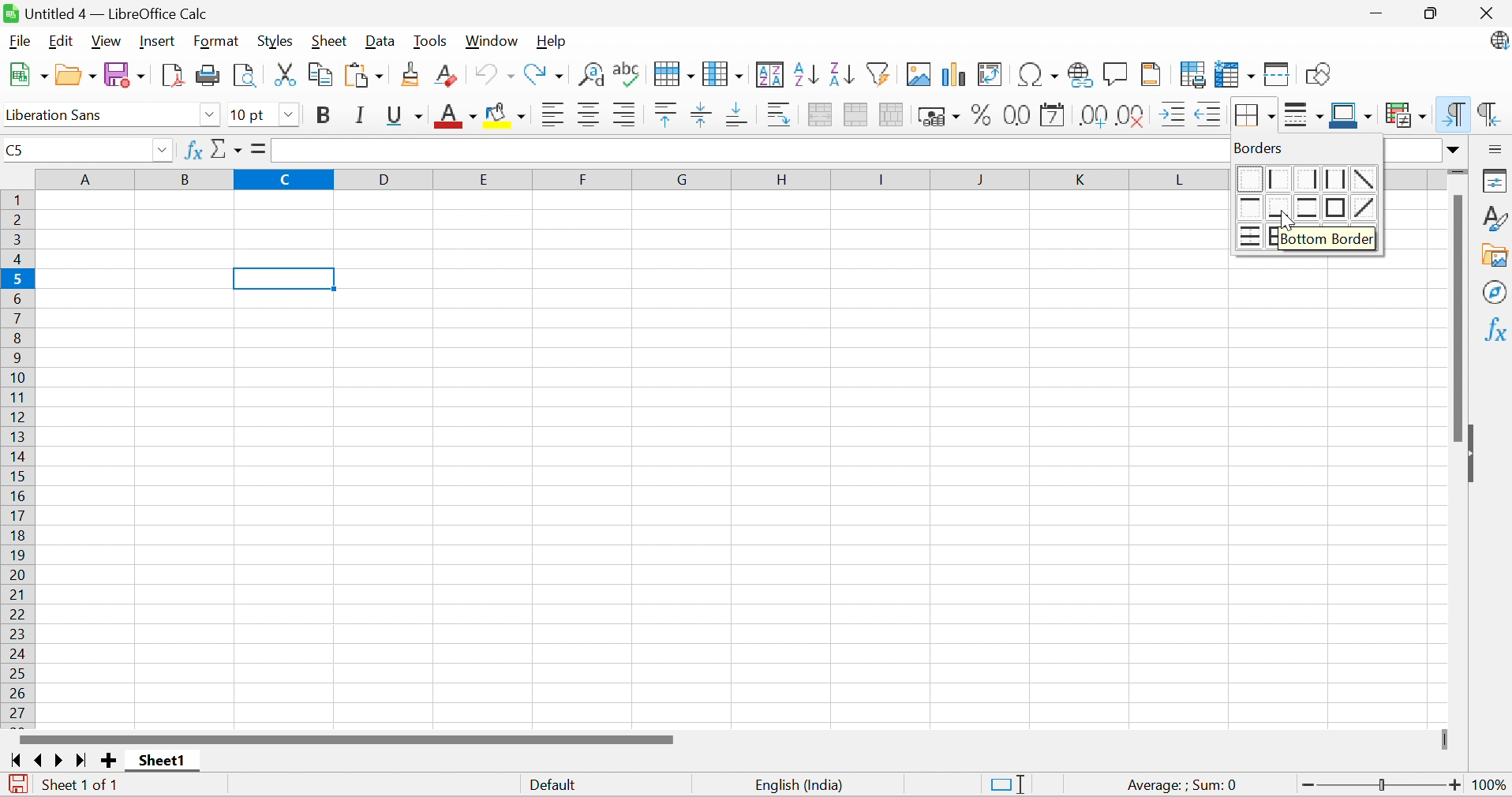  What do you see at coordinates (163, 761) in the screenshot?
I see `Sheet1` at bounding box center [163, 761].